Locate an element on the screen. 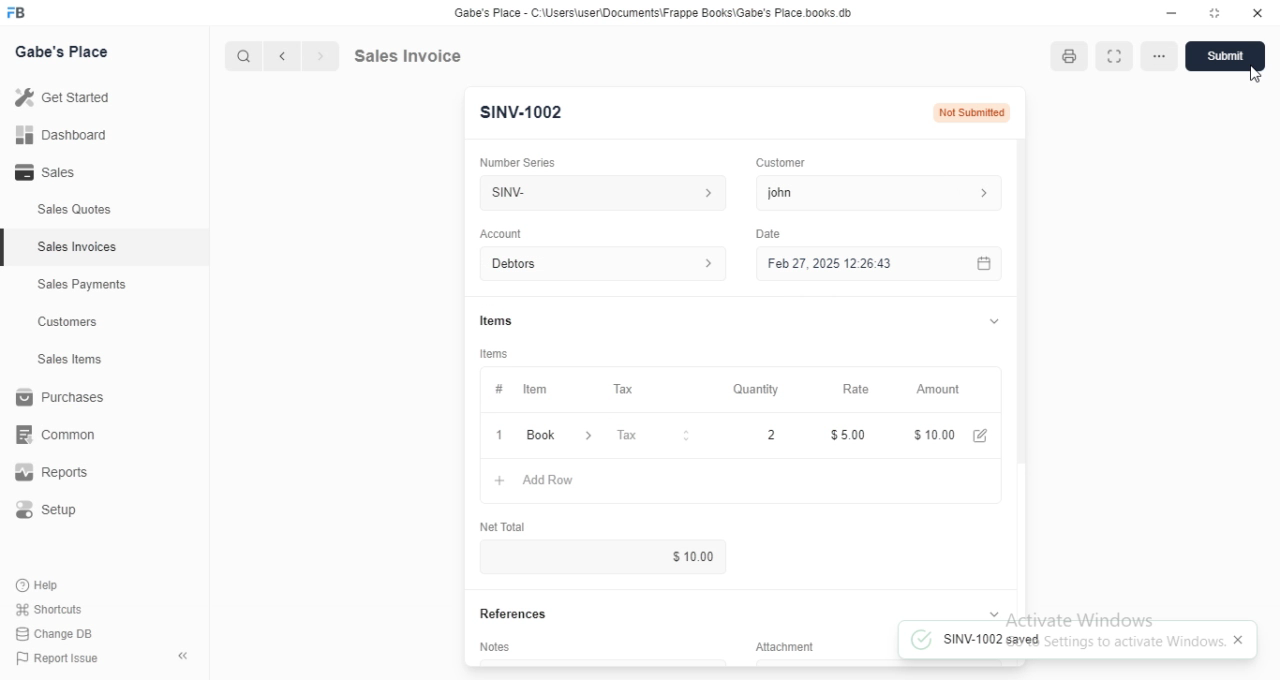 The image size is (1280, 680). Minimize is located at coordinates (1169, 14).